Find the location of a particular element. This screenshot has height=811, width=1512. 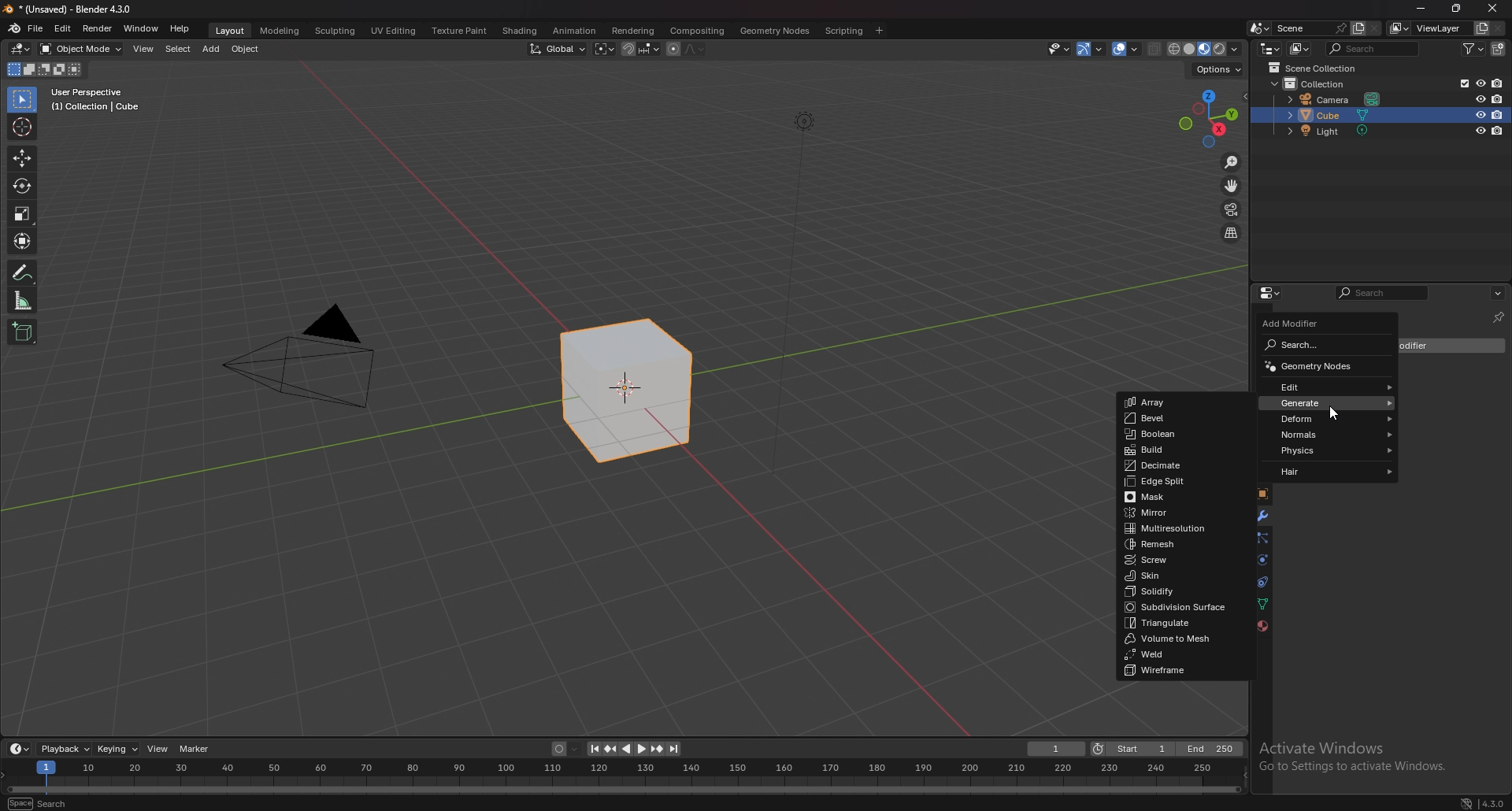

title is located at coordinates (68, 9).